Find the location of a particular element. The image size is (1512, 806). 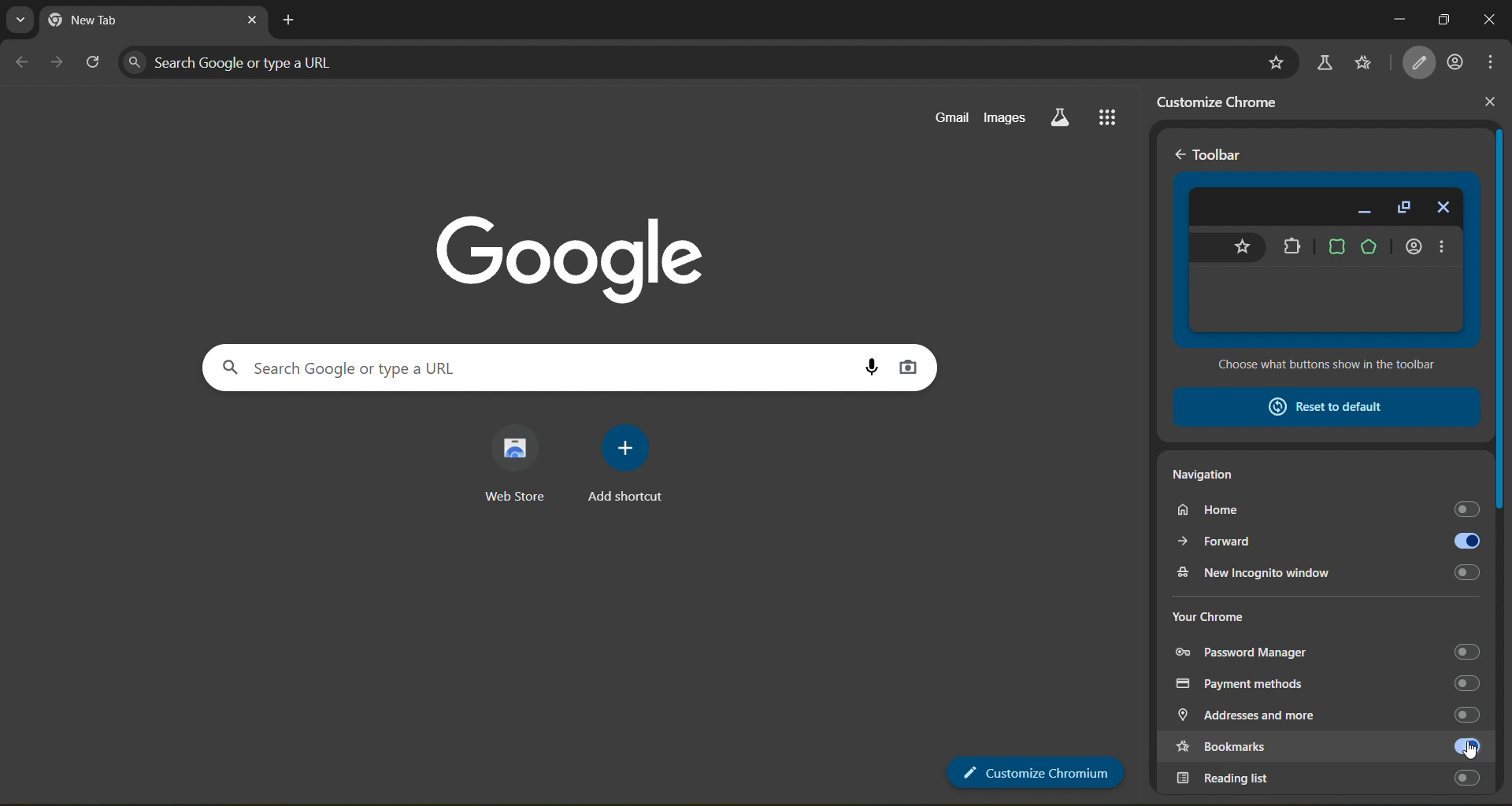

toggle is located at coordinates (1464, 746).